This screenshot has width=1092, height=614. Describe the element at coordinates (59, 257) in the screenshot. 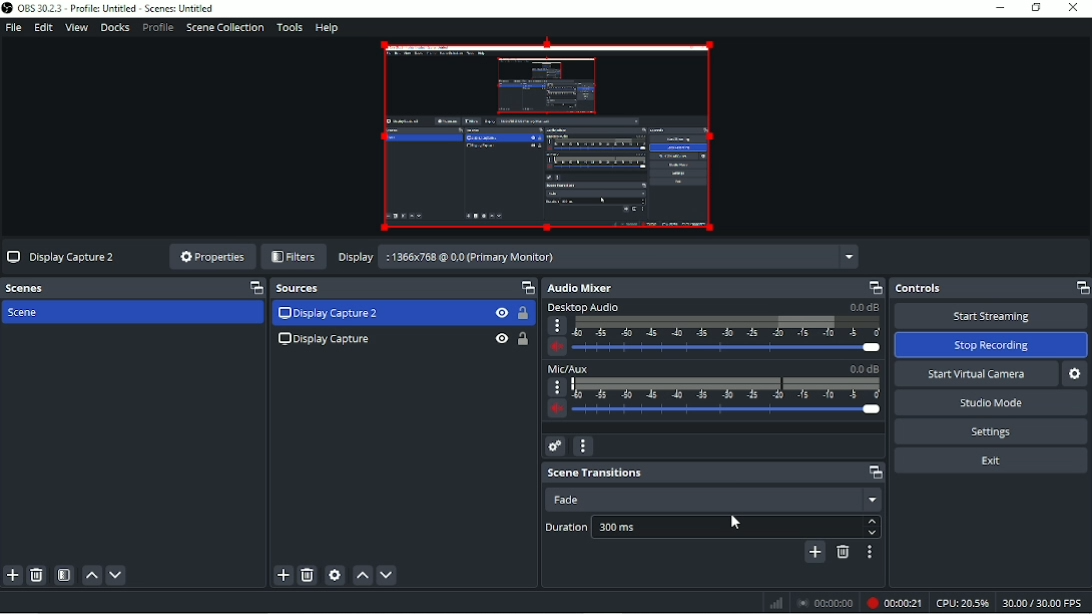

I see `Display capture` at that location.